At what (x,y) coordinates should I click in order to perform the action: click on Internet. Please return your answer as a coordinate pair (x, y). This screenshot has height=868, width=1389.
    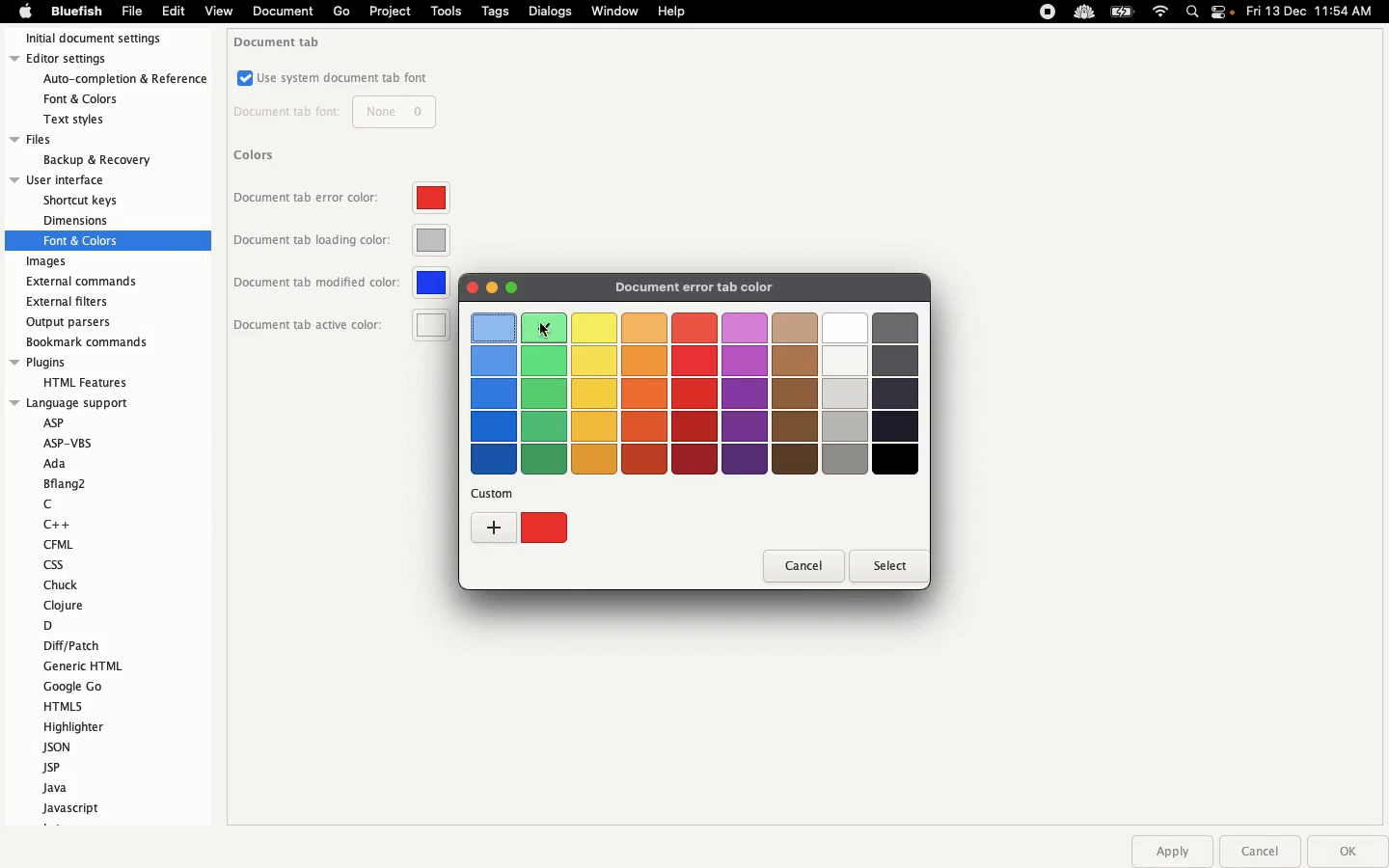
    Looking at the image, I should click on (1161, 13).